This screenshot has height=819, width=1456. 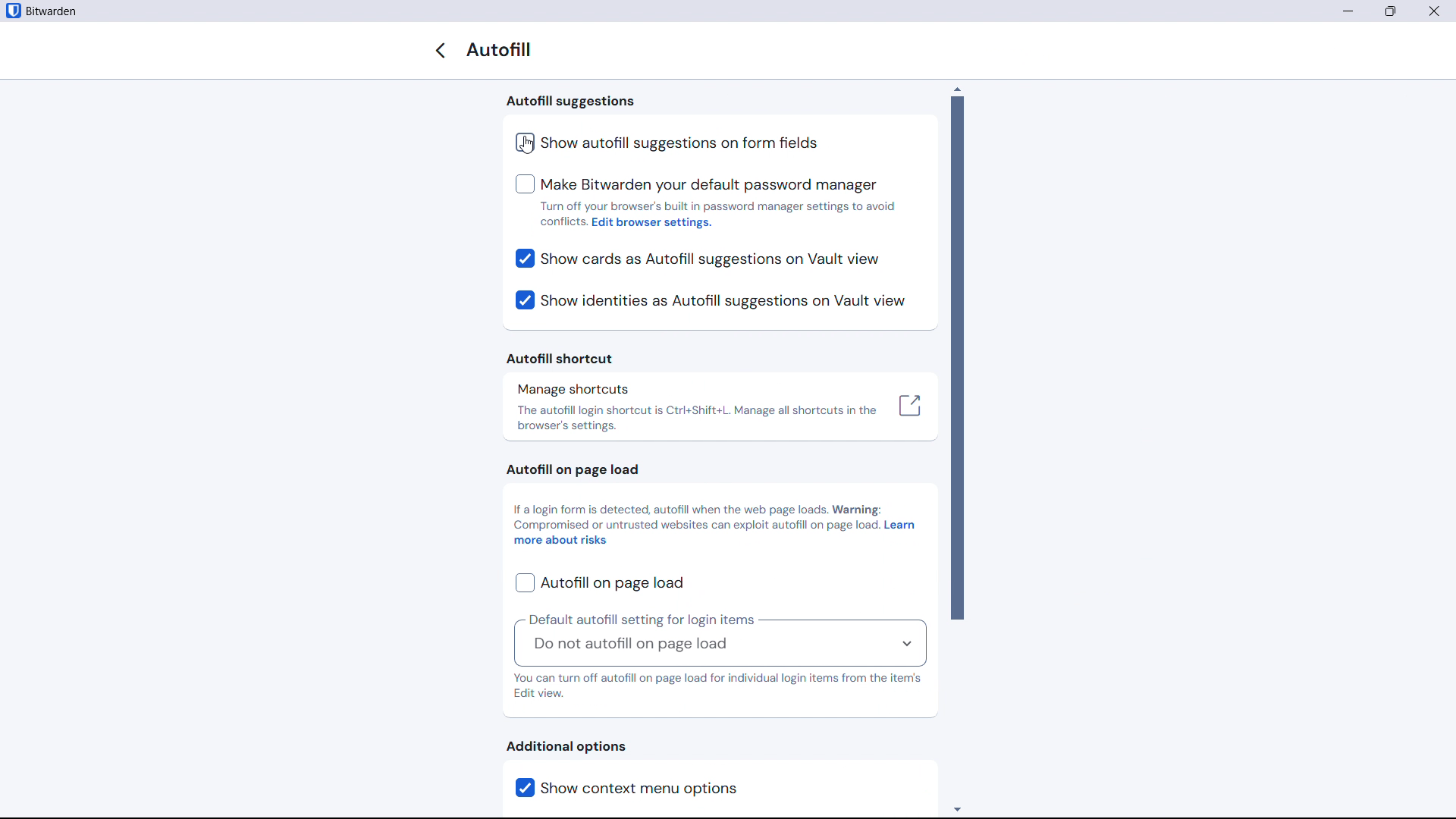 What do you see at coordinates (900, 526) in the screenshot?
I see `learn` at bounding box center [900, 526].